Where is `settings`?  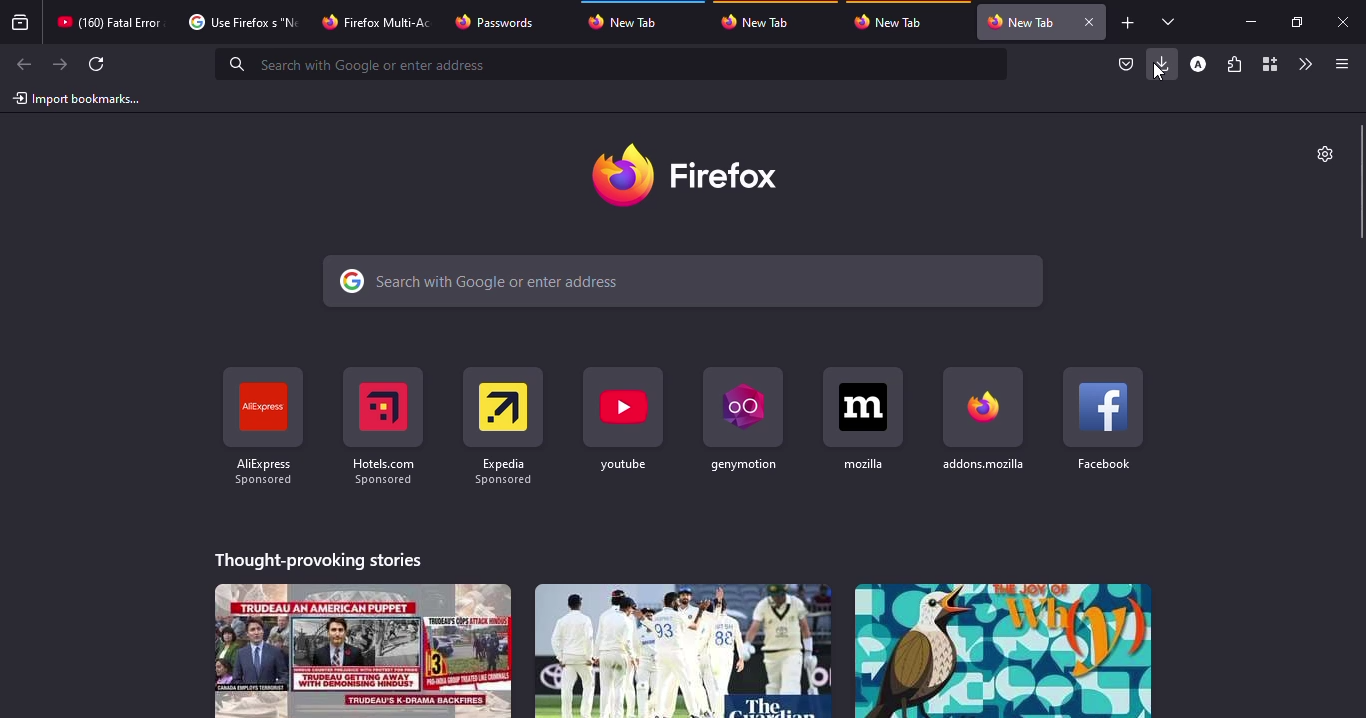 settings is located at coordinates (1322, 153).